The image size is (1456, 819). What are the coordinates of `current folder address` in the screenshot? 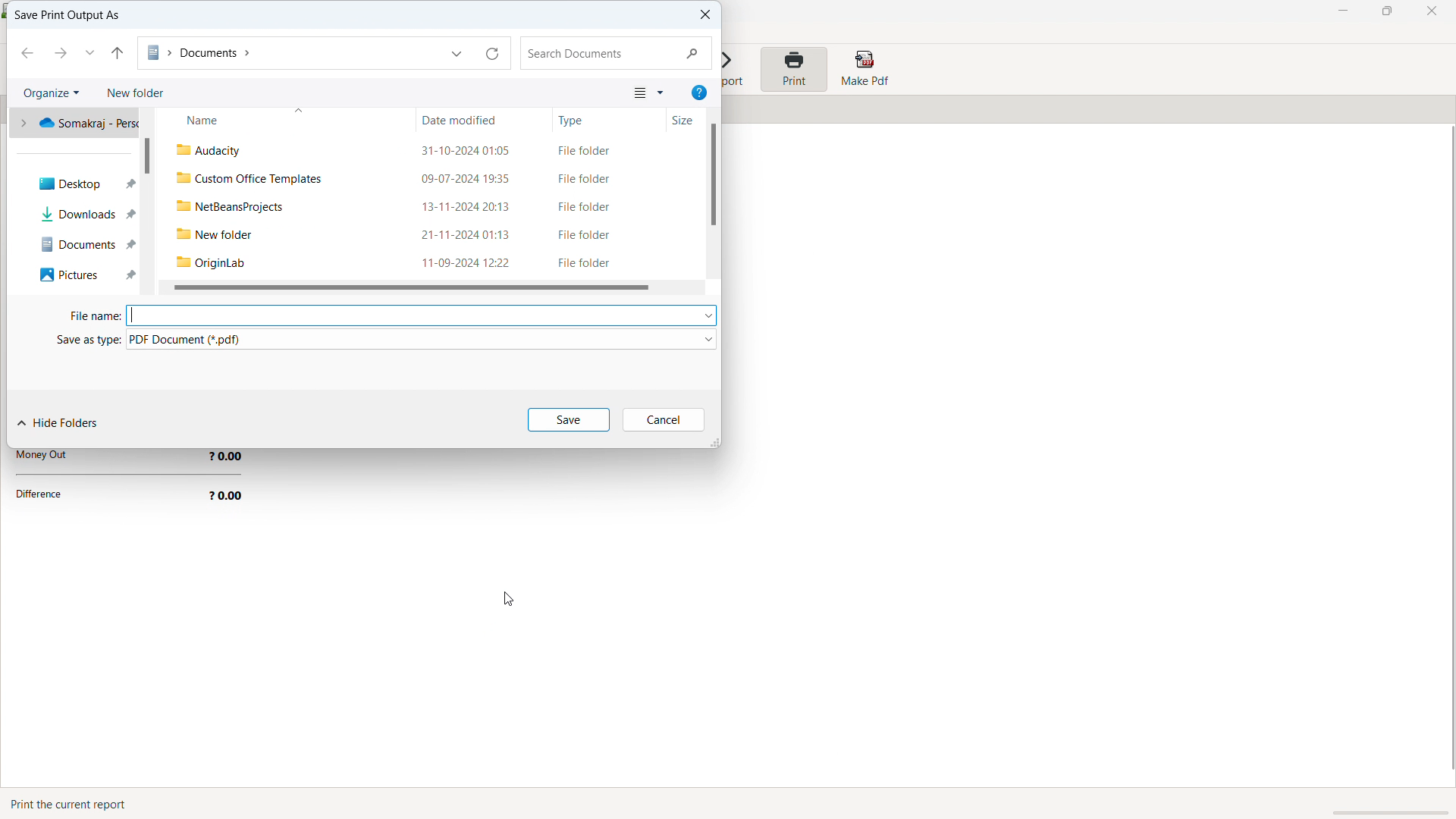 It's located at (287, 53).